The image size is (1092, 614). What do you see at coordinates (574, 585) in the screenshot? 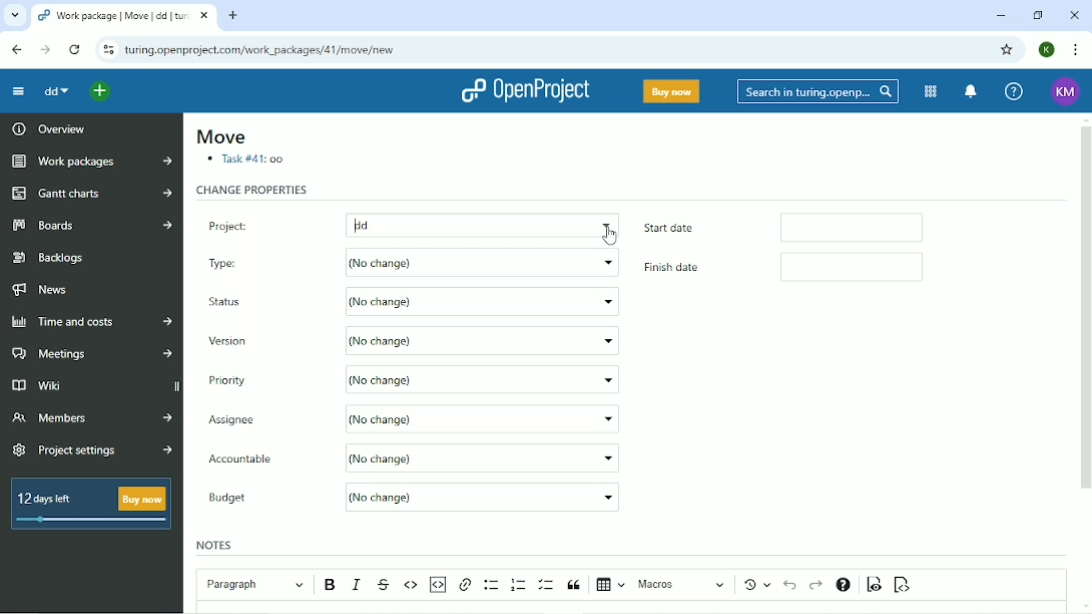
I see `Block quote` at bounding box center [574, 585].